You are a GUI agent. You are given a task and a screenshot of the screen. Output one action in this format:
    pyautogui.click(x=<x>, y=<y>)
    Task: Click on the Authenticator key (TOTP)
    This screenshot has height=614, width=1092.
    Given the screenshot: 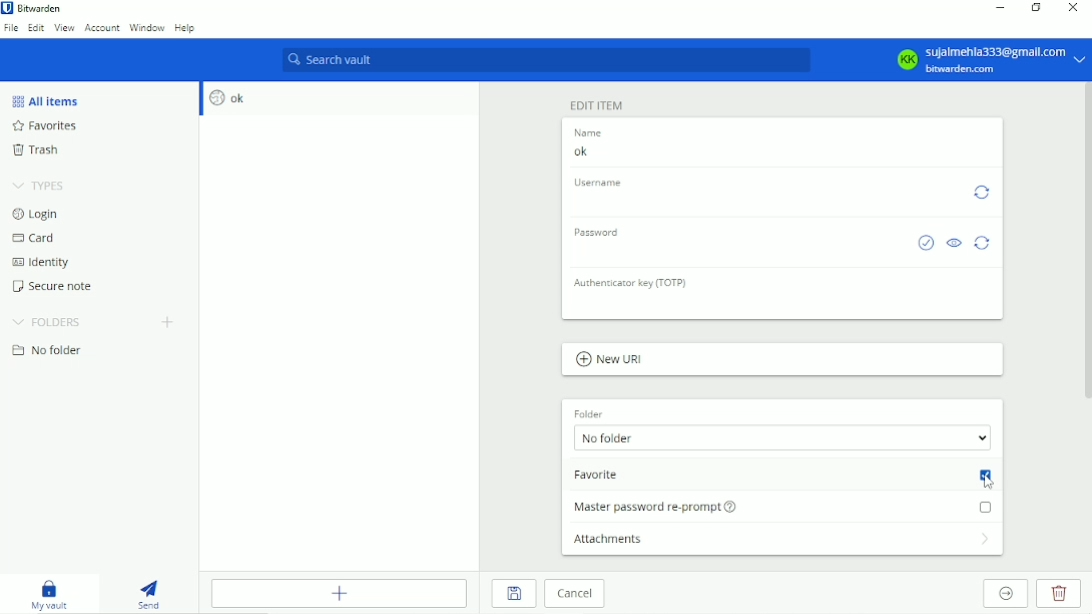 What is the action you would take?
    pyautogui.click(x=784, y=305)
    